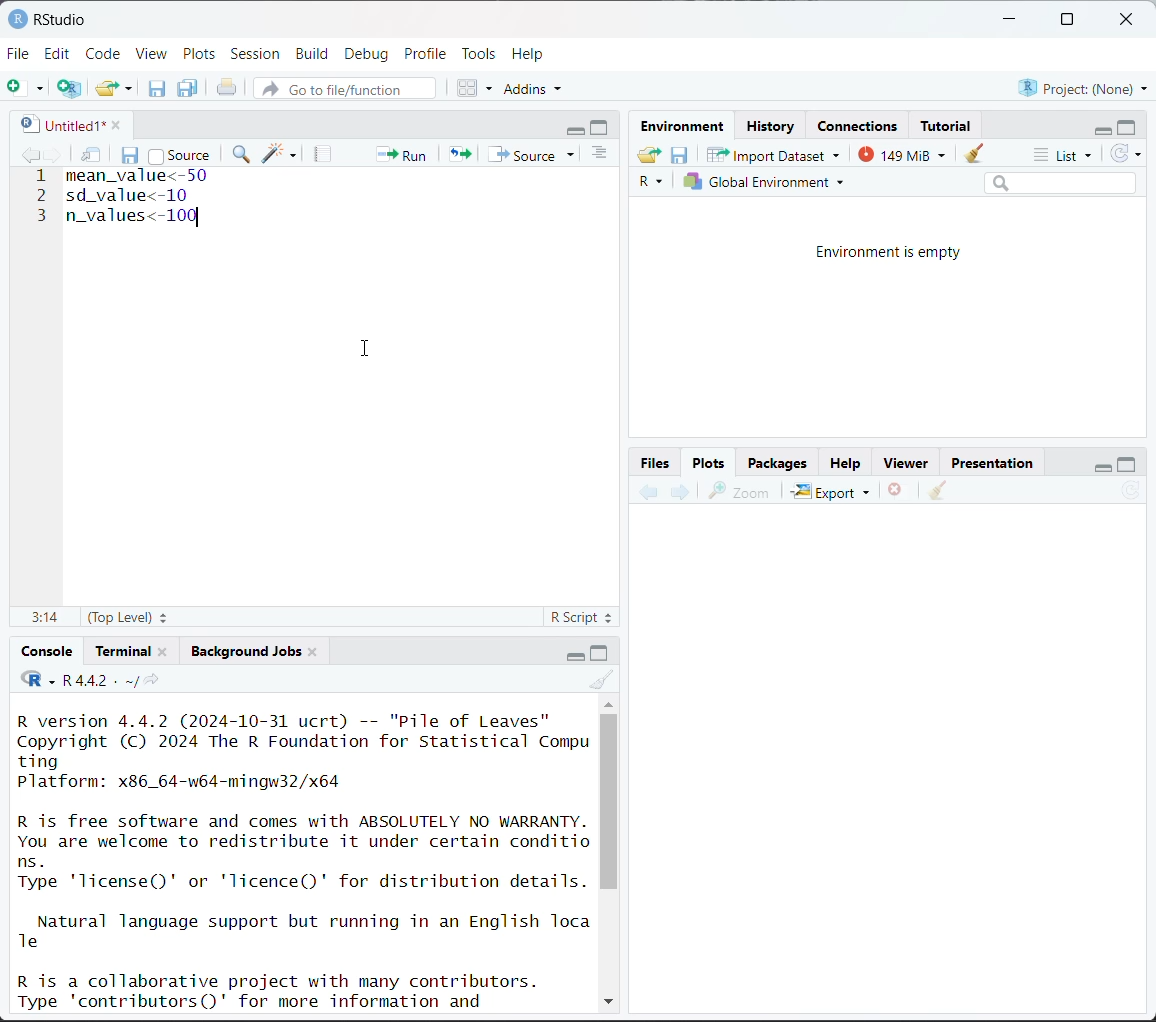 This screenshot has height=1022, width=1156. What do you see at coordinates (739, 491) in the screenshot?
I see `zoom` at bounding box center [739, 491].